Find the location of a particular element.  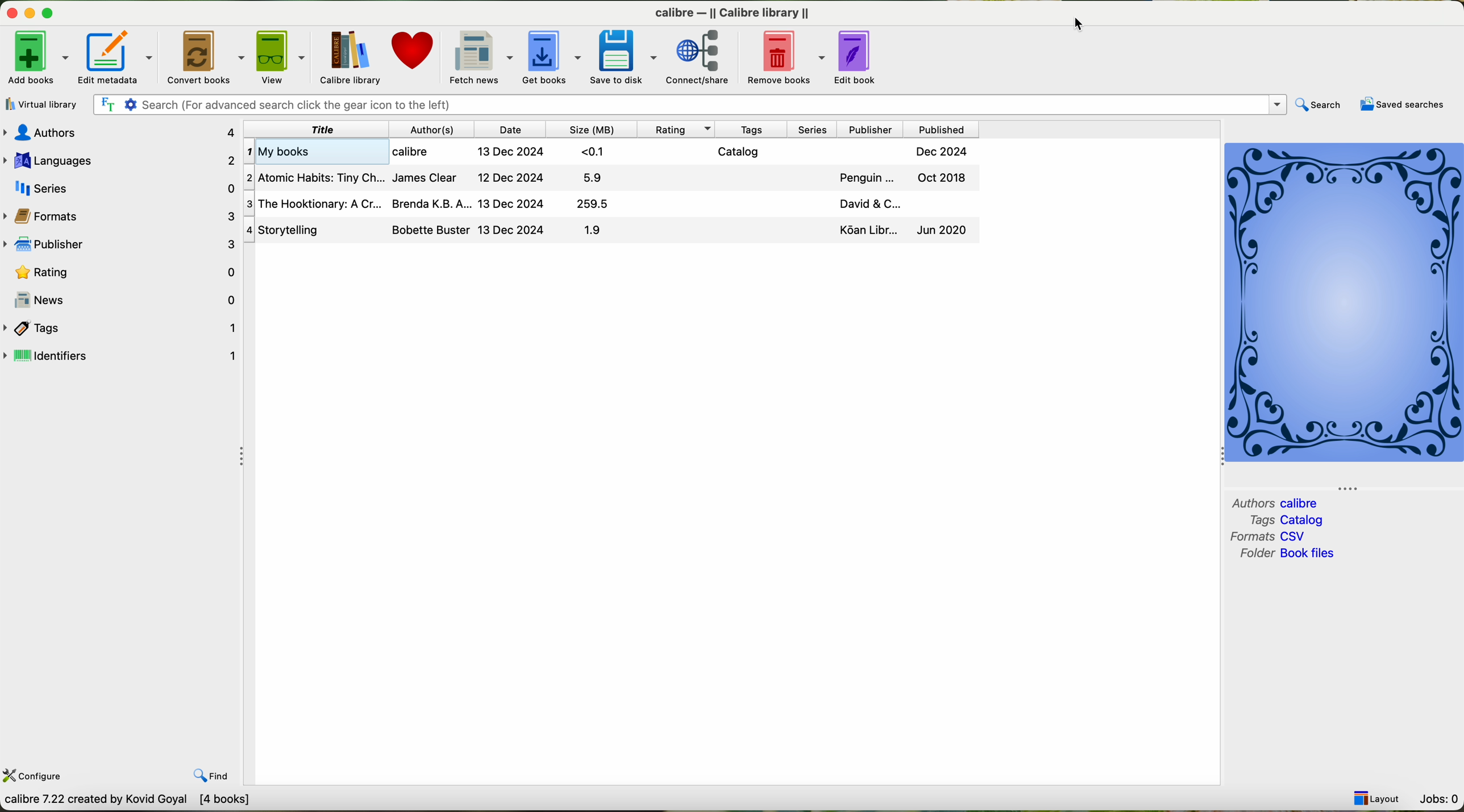

date is located at coordinates (510, 131).